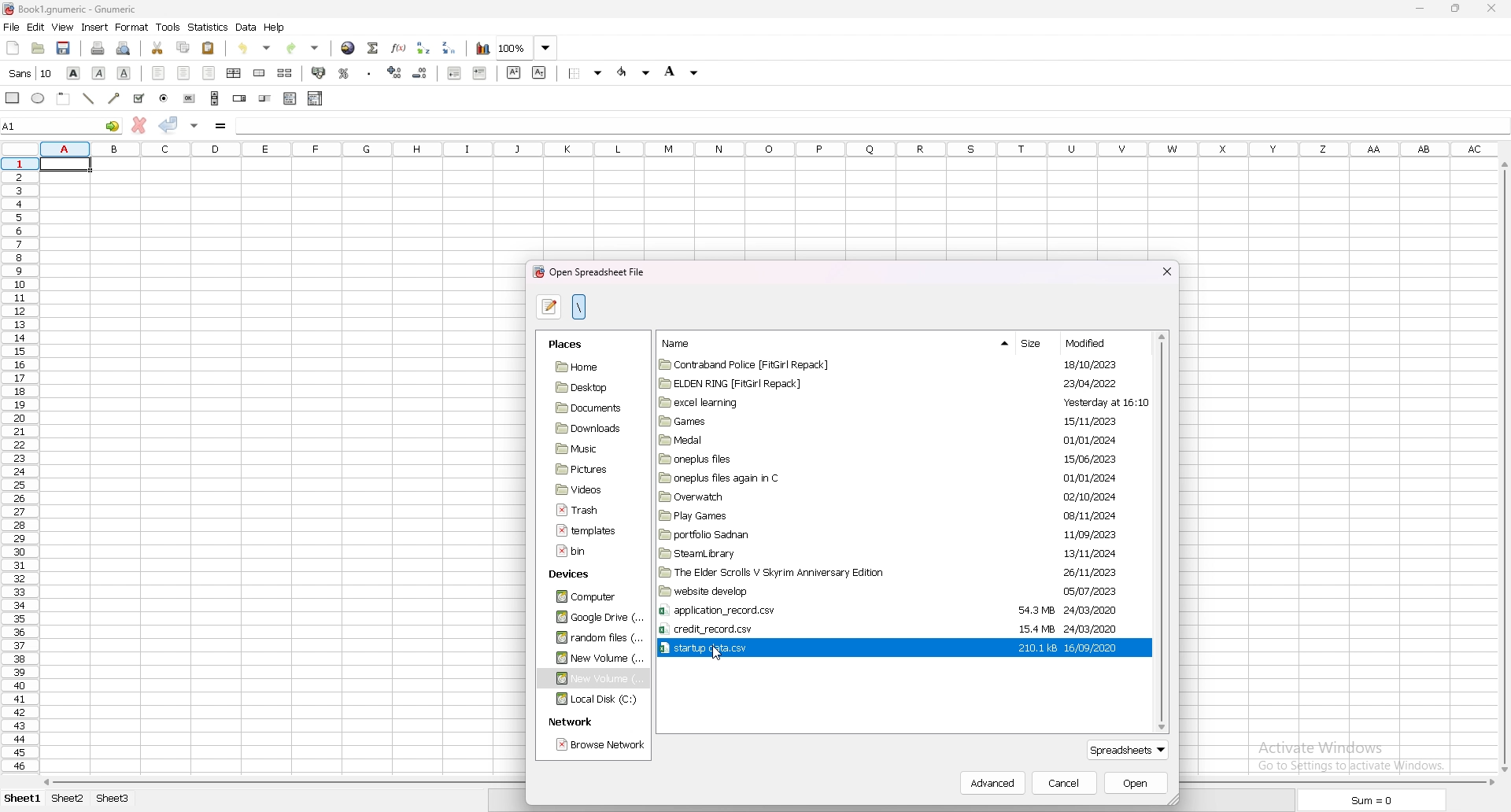 The height and width of the screenshot is (812, 1511). What do you see at coordinates (767, 149) in the screenshot?
I see `columns` at bounding box center [767, 149].